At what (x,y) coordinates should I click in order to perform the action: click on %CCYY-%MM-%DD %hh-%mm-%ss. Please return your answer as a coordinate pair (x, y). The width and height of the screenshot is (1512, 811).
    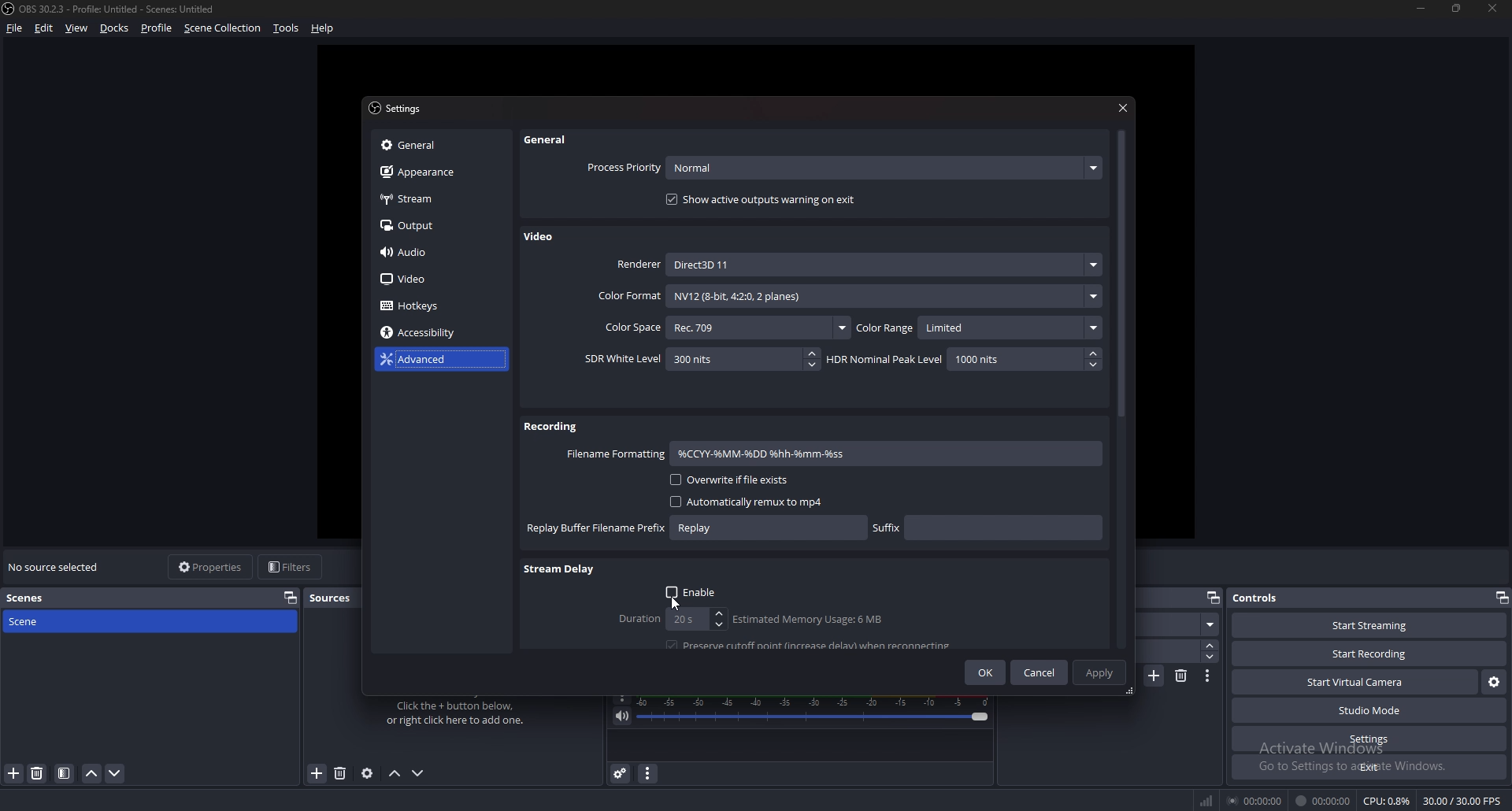
    Looking at the image, I should click on (799, 454).